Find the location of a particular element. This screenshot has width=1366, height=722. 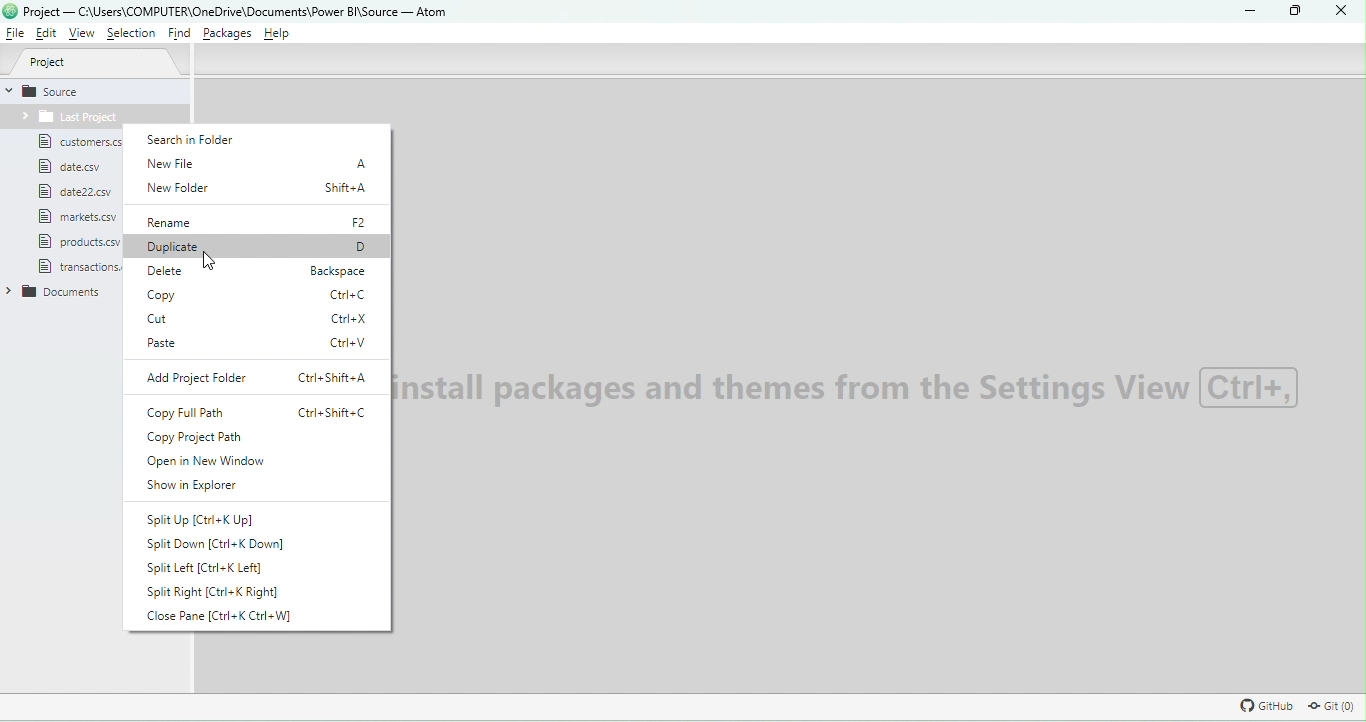

File name is located at coordinates (238, 11).